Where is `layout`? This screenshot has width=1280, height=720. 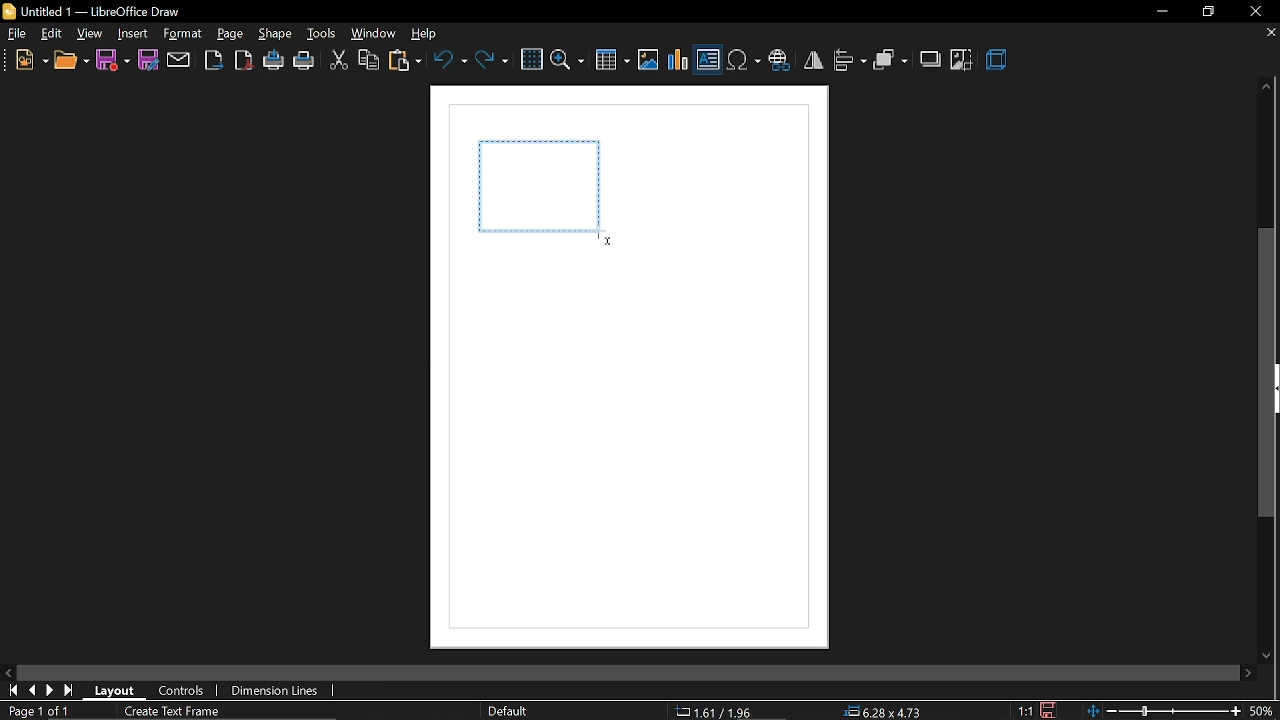
layout is located at coordinates (121, 690).